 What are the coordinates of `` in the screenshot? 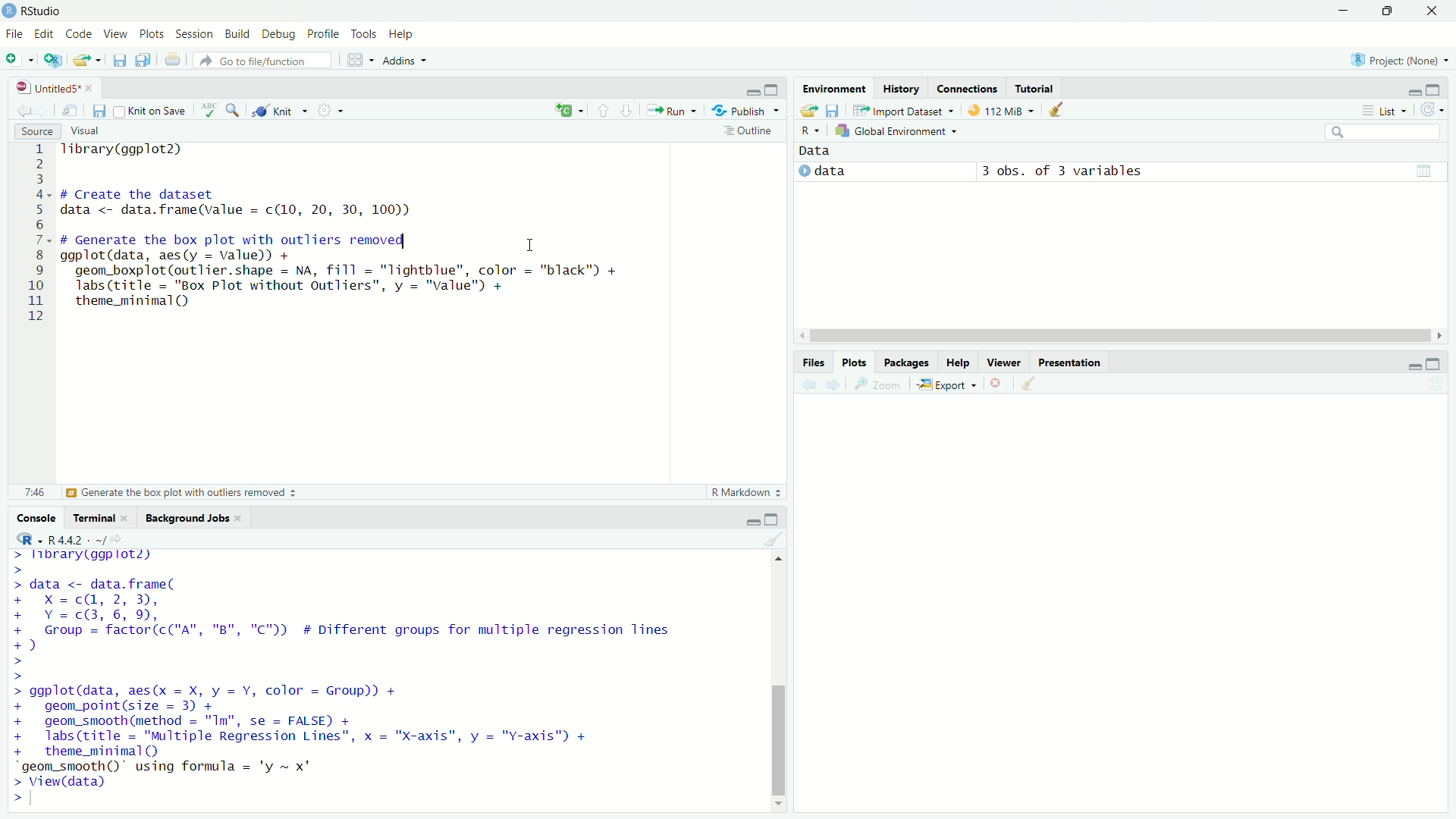 It's located at (808, 362).